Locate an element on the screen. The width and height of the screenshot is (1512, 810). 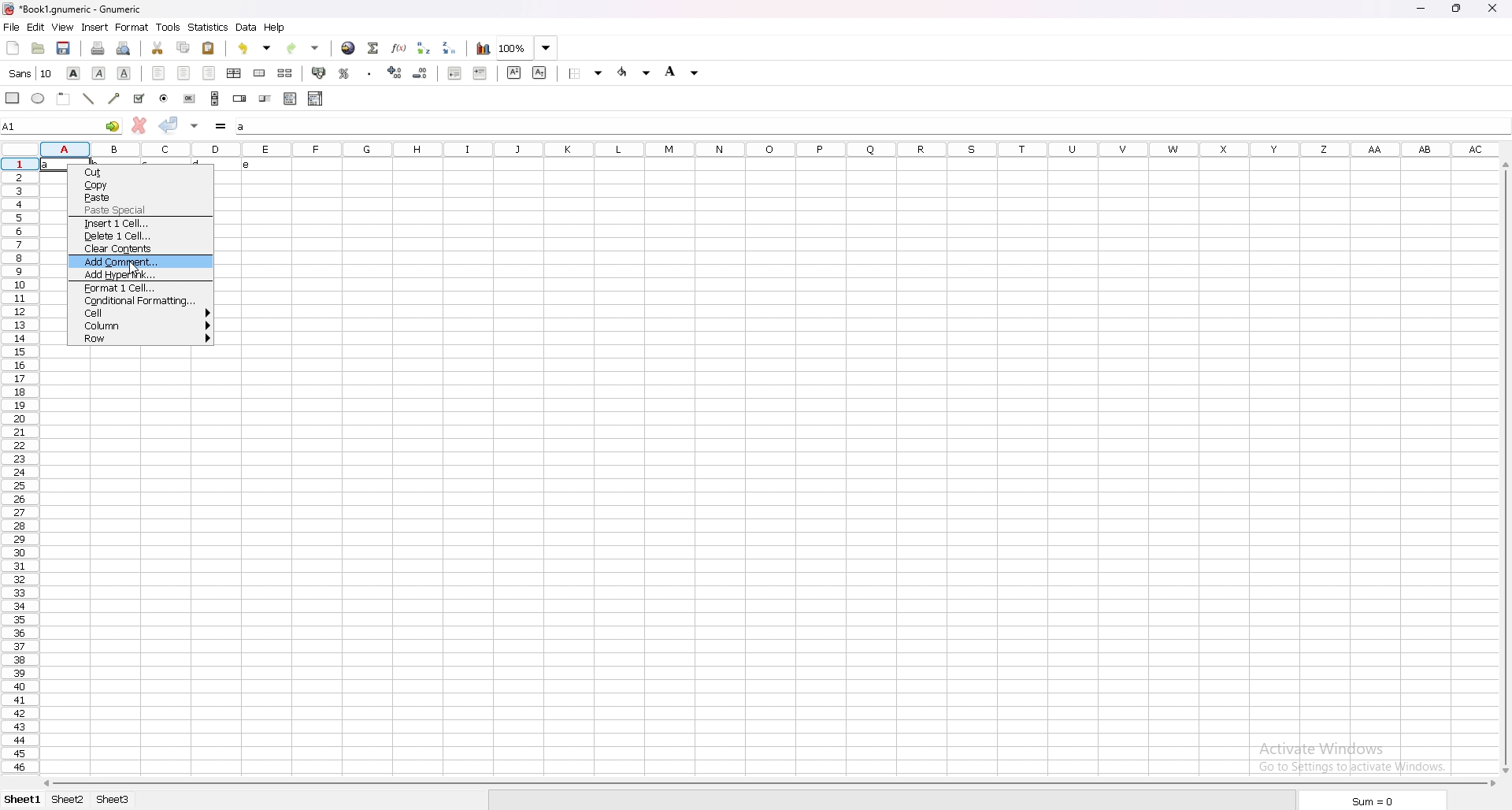
cancel change is located at coordinates (139, 124).